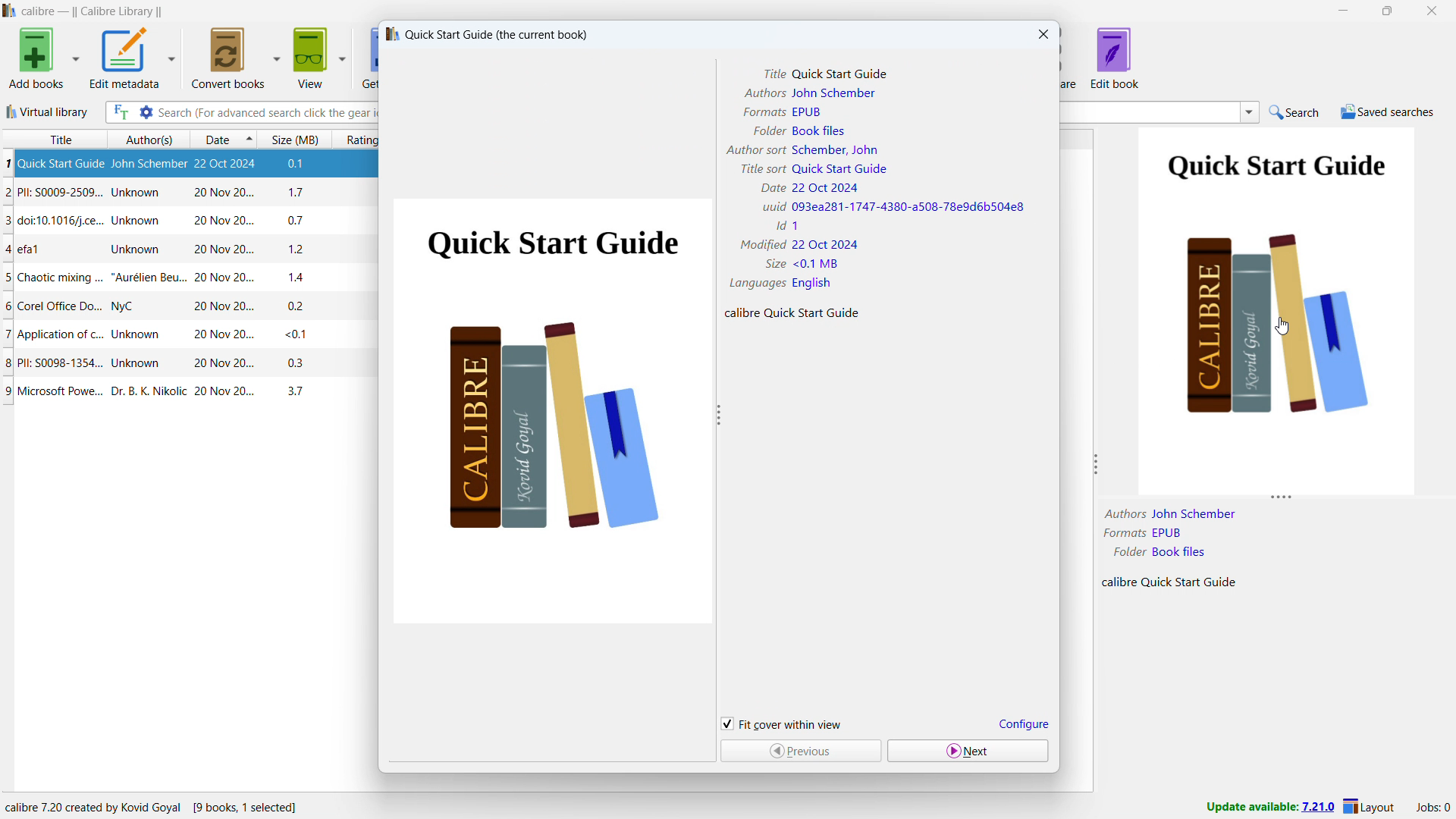  I want to click on Folder, so click(767, 130).